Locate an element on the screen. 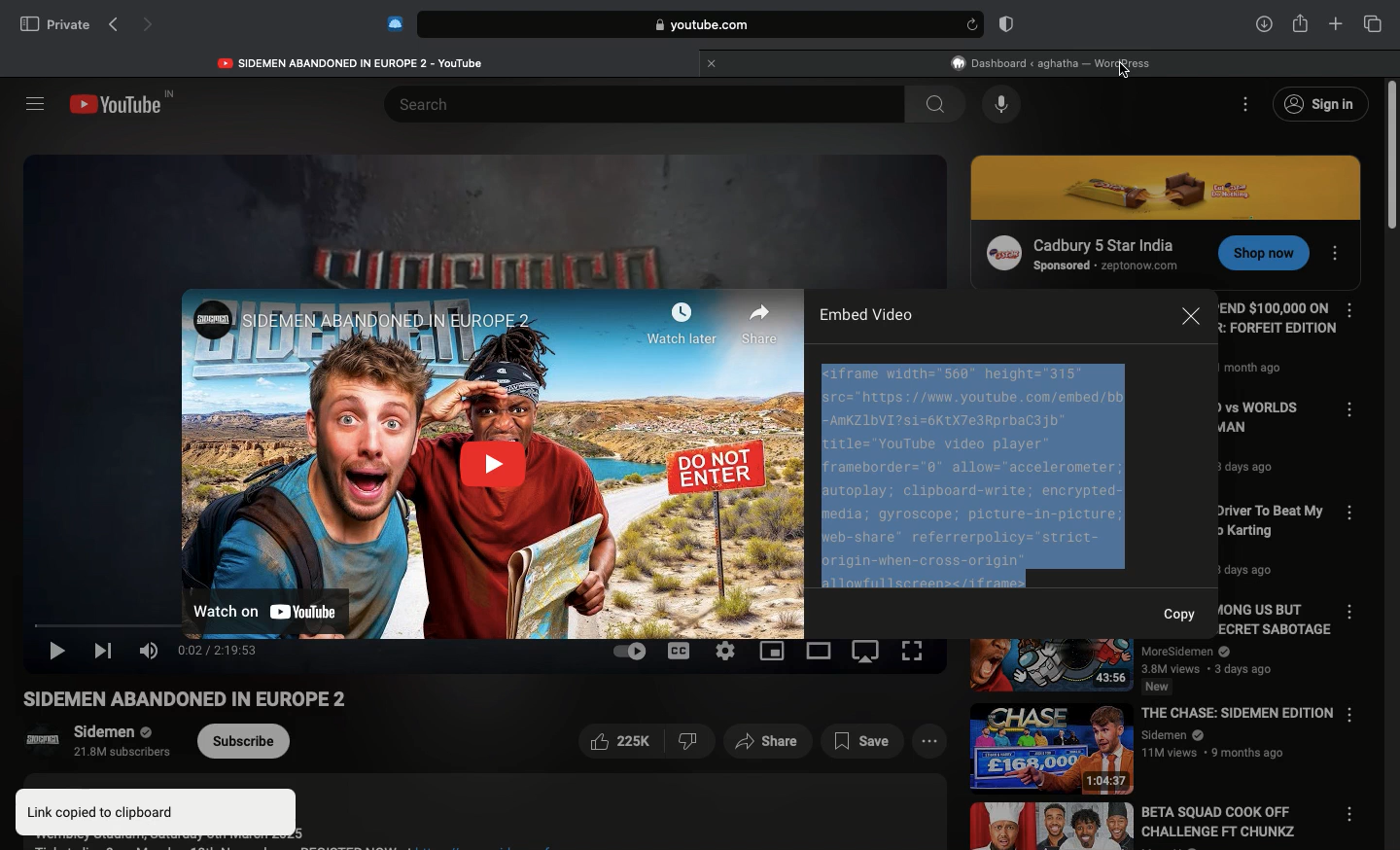  Channel is located at coordinates (87, 744).